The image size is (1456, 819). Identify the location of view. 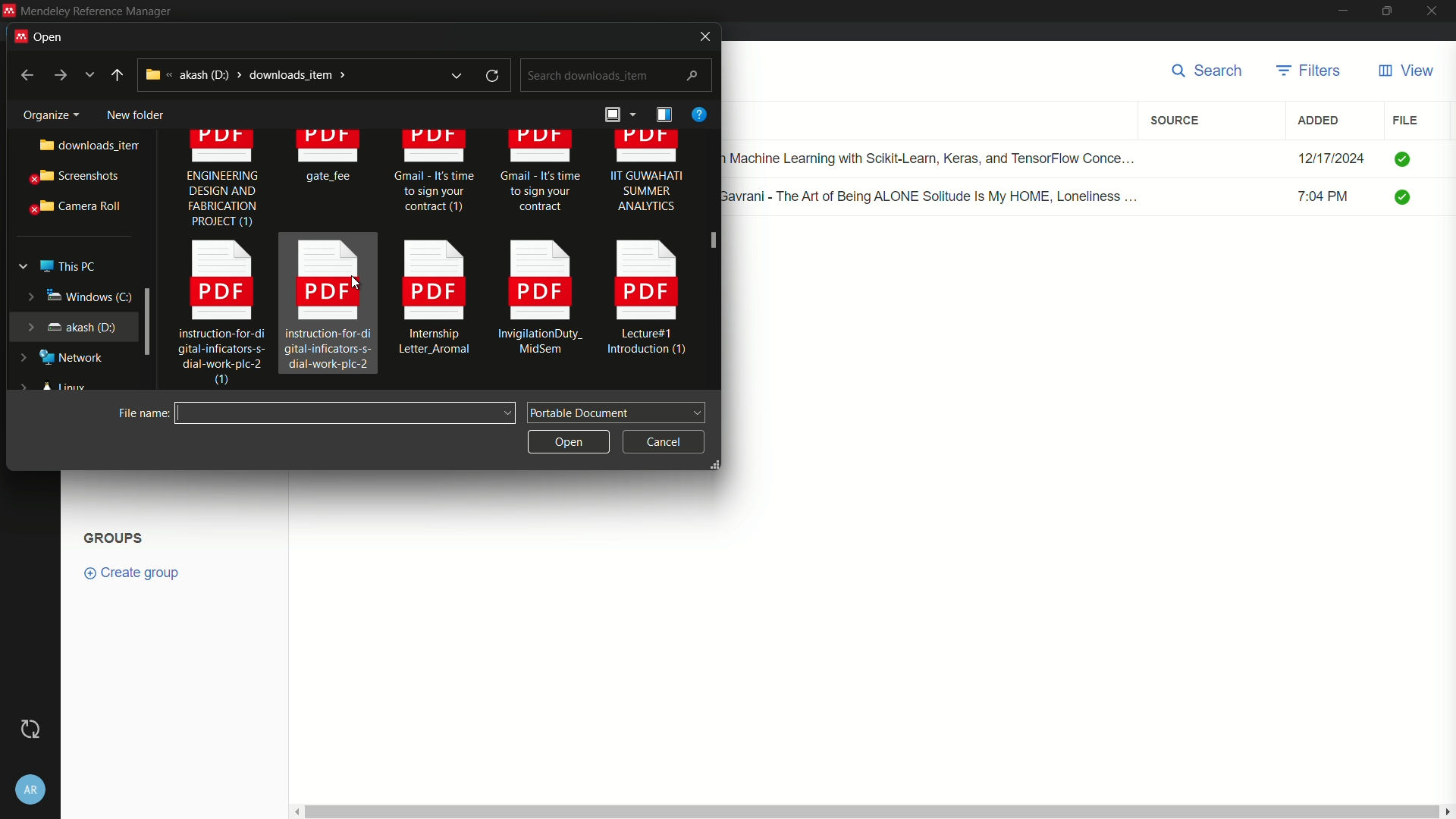
(1405, 71).